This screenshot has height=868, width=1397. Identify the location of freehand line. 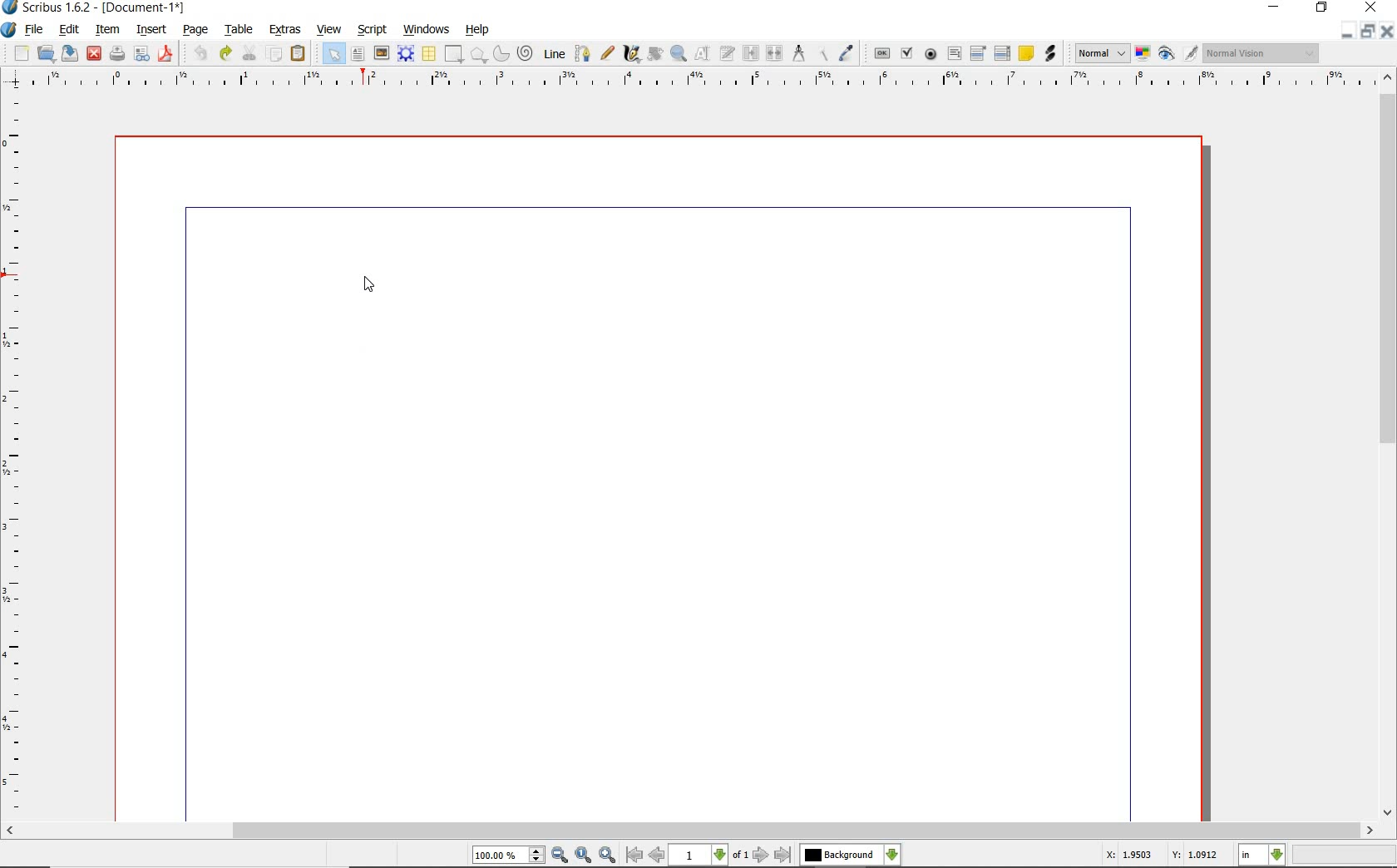
(609, 54).